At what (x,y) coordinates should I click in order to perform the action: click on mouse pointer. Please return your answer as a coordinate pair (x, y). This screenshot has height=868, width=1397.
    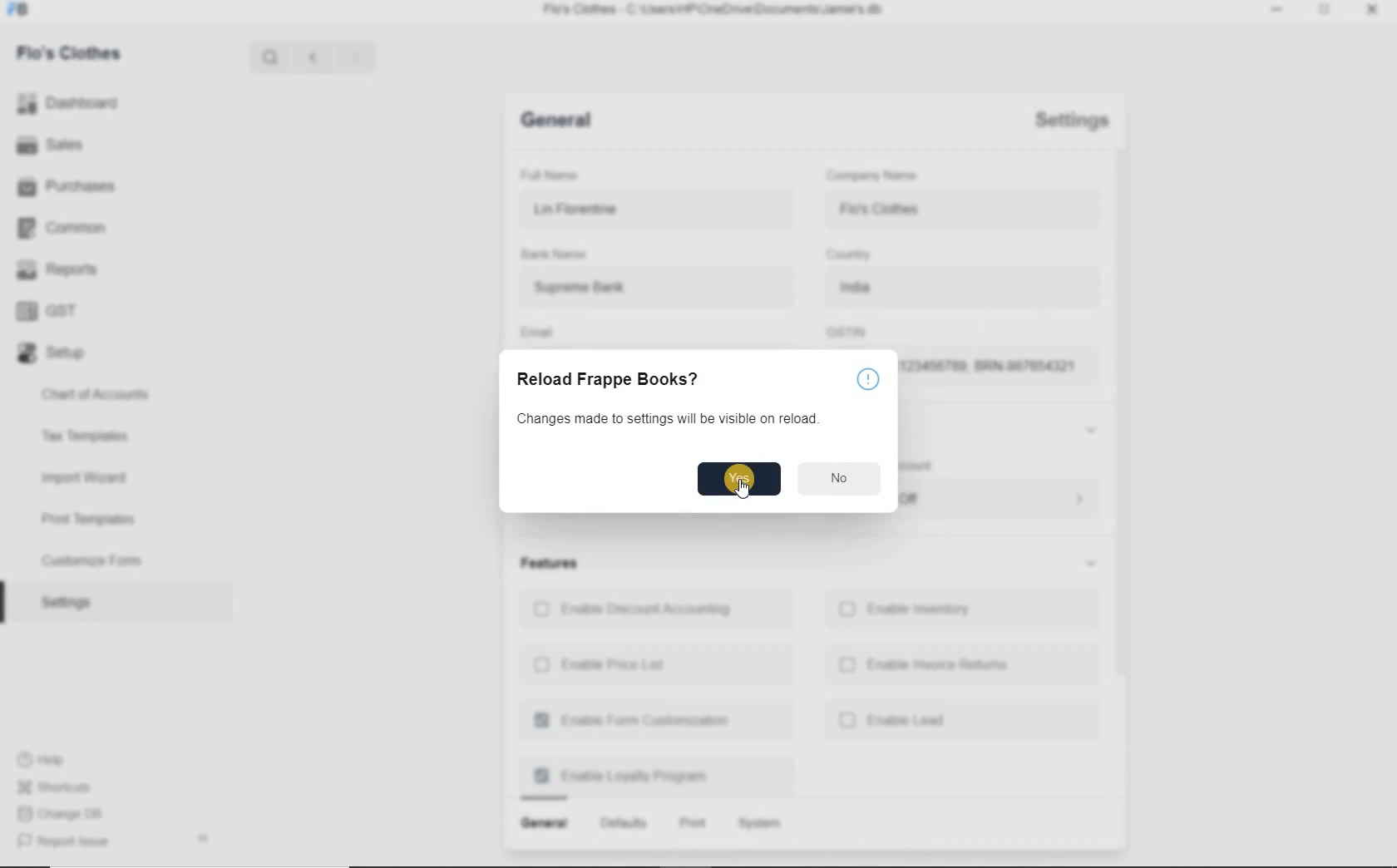
    Looking at the image, I should click on (743, 494).